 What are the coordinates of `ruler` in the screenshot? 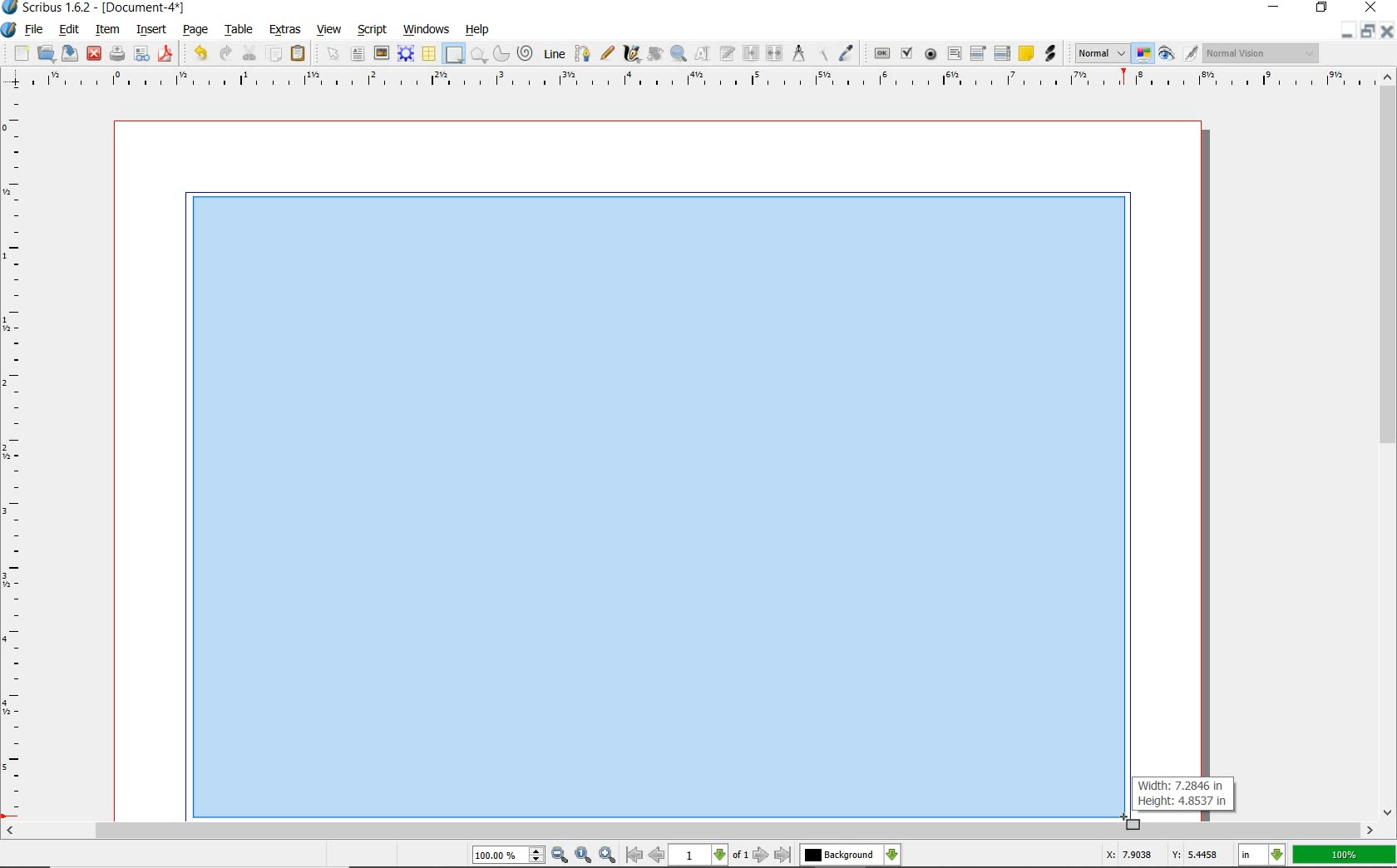 It's located at (701, 79).